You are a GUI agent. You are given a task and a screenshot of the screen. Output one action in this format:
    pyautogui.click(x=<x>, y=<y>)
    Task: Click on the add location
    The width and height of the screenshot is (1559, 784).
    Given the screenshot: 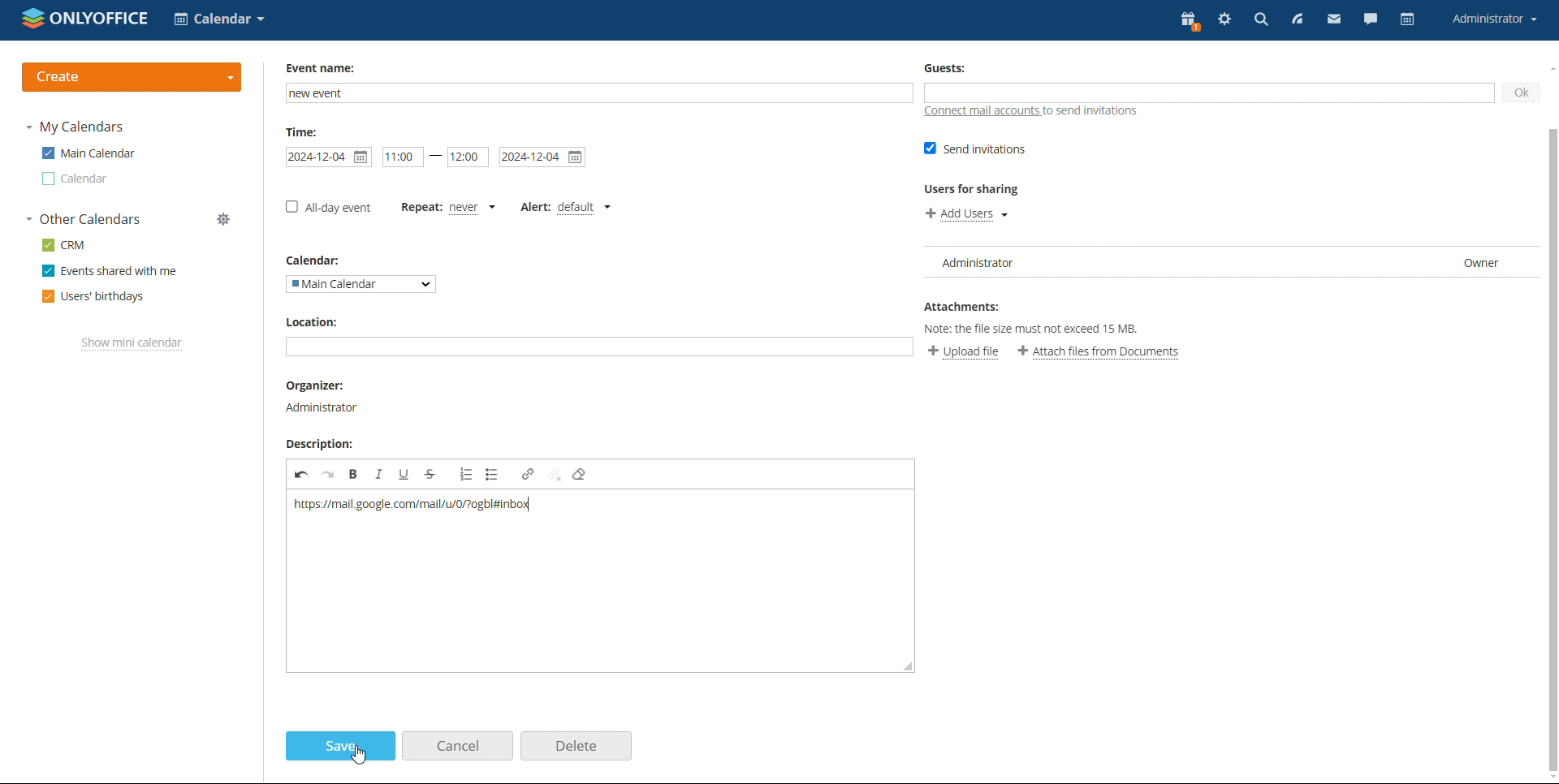 What is the action you would take?
    pyautogui.click(x=597, y=346)
    